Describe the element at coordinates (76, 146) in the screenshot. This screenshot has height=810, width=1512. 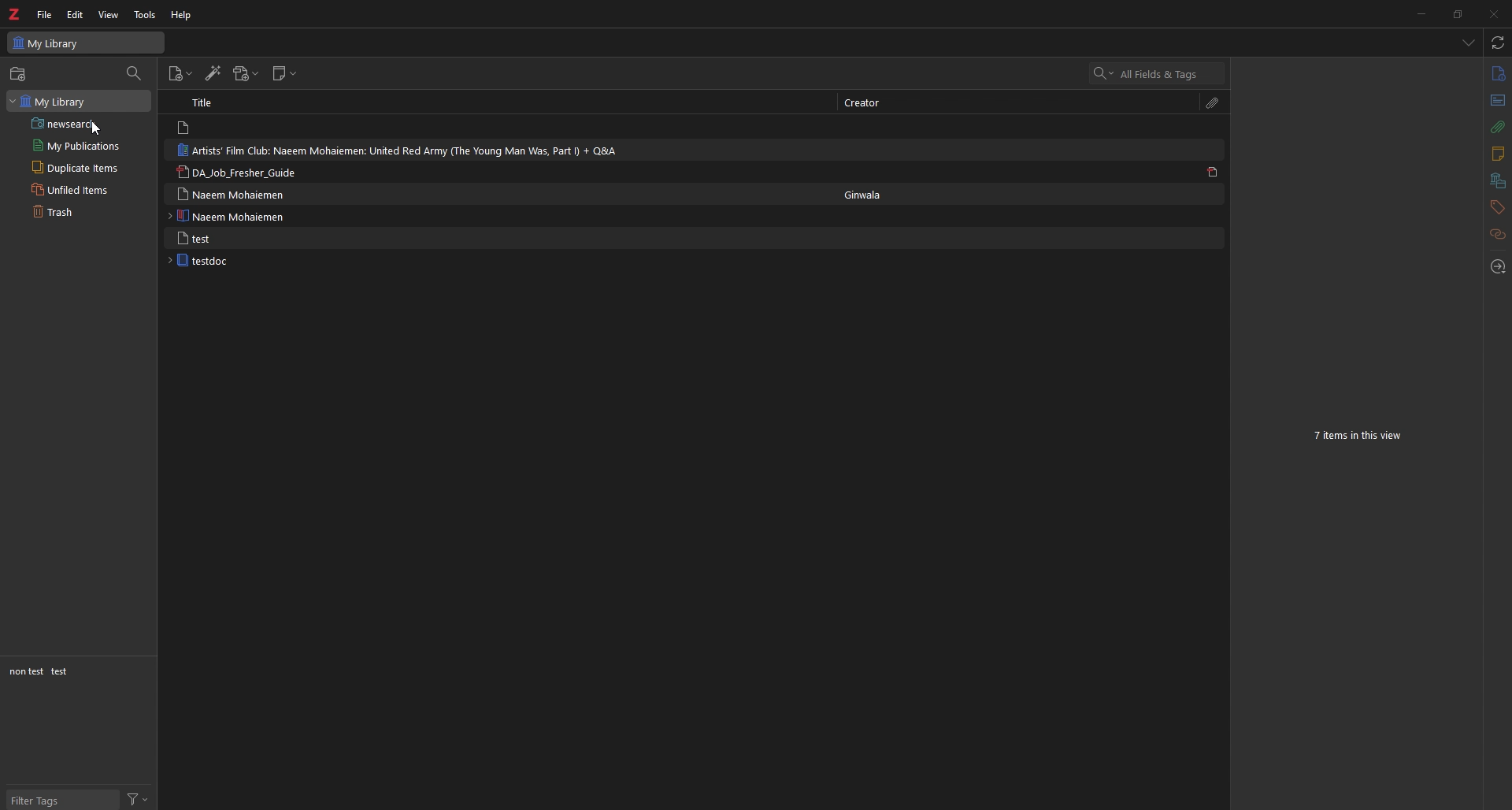
I see `My Publications` at that location.